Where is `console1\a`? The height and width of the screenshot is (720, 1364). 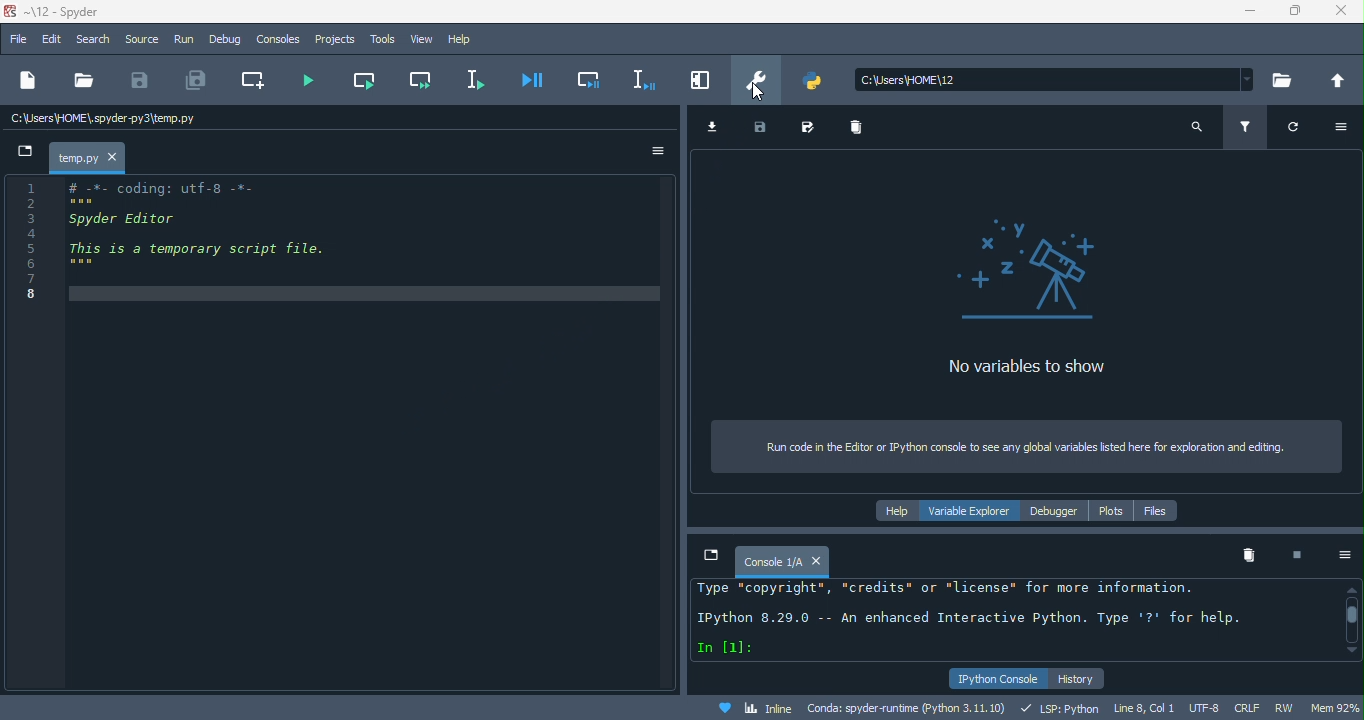 console1\a is located at coordinates (774, 559).